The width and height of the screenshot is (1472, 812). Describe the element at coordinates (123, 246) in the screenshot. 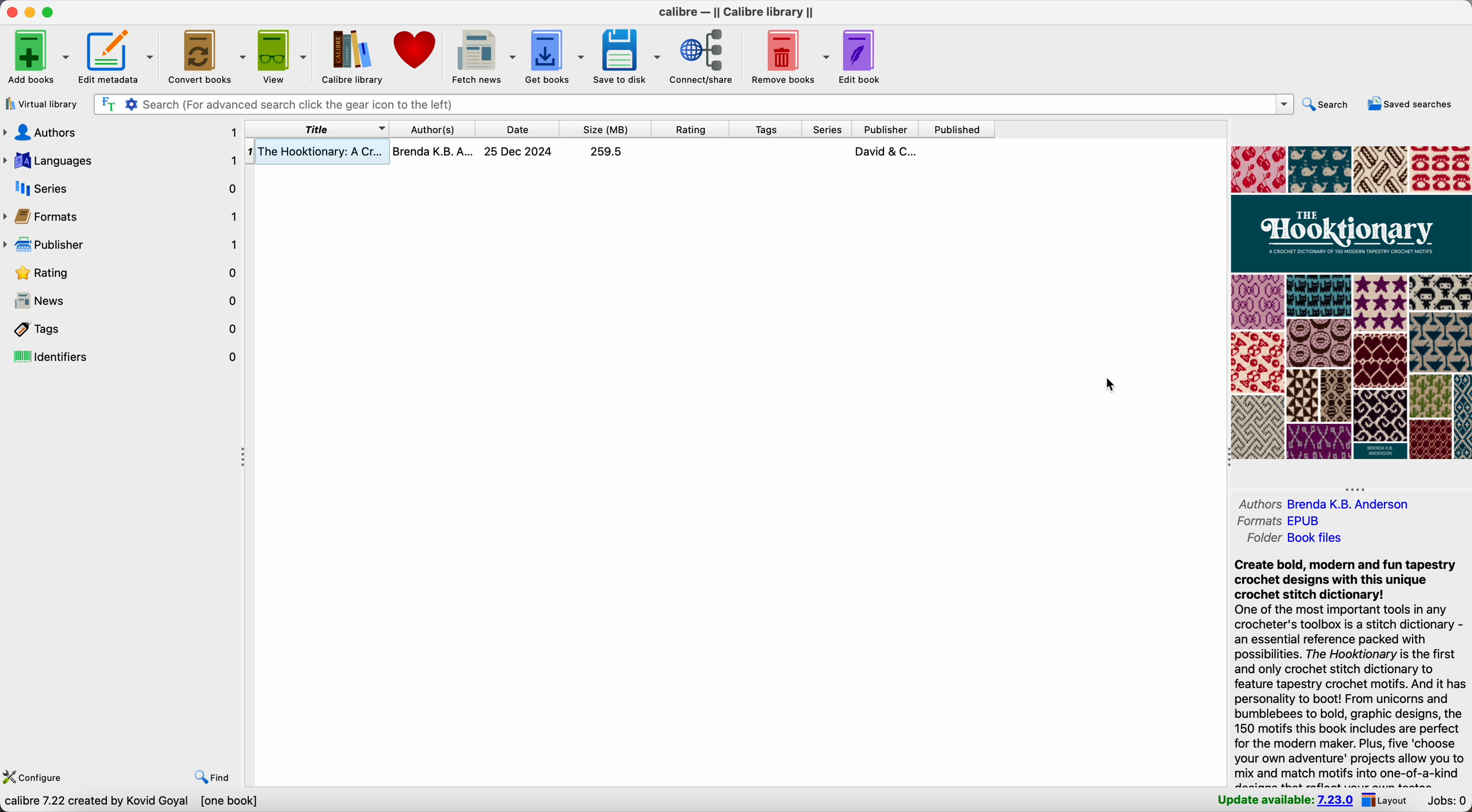

I see `publisher` at that location.